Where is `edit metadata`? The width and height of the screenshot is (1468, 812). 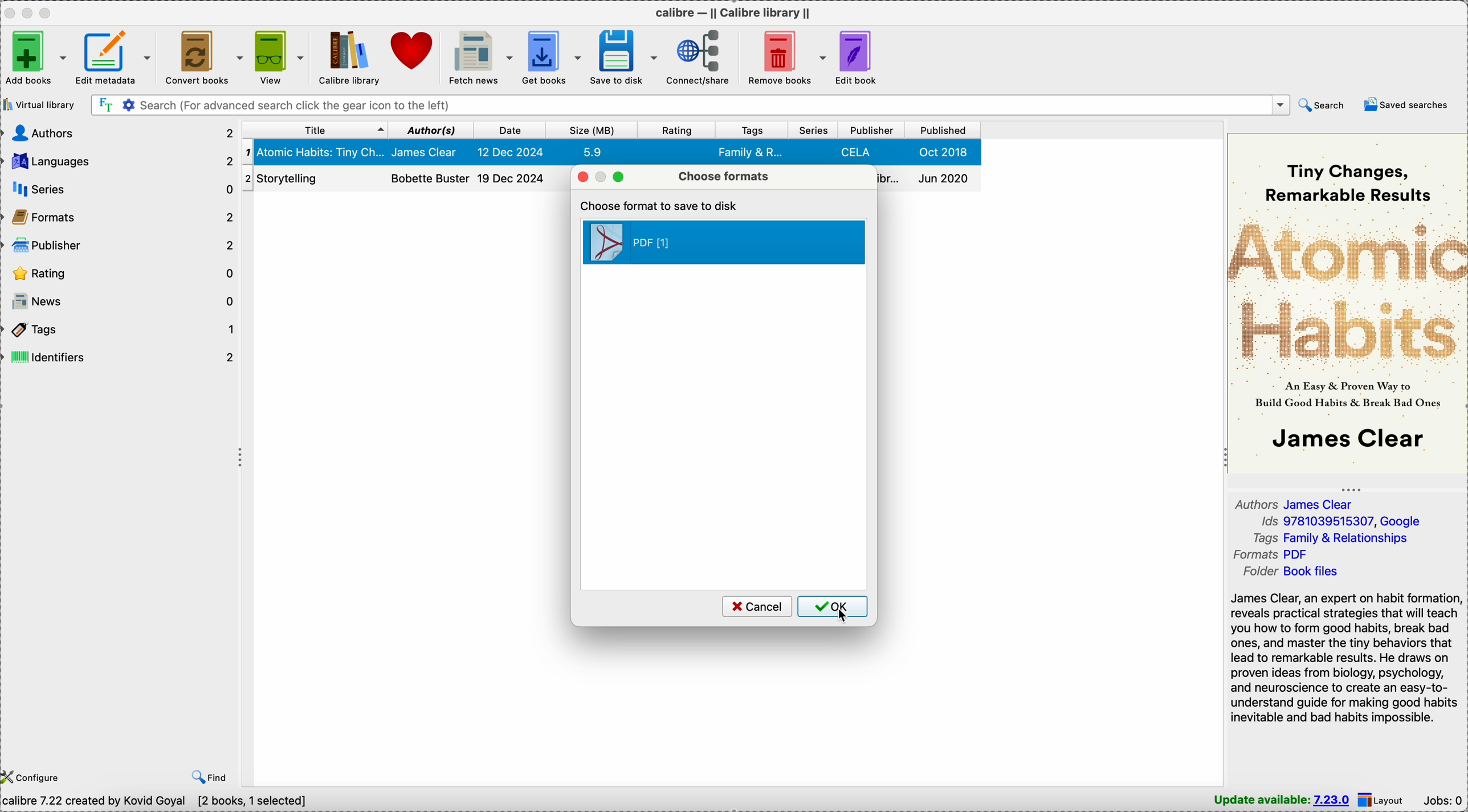 edit metadata is located at coordinates (119, 58).